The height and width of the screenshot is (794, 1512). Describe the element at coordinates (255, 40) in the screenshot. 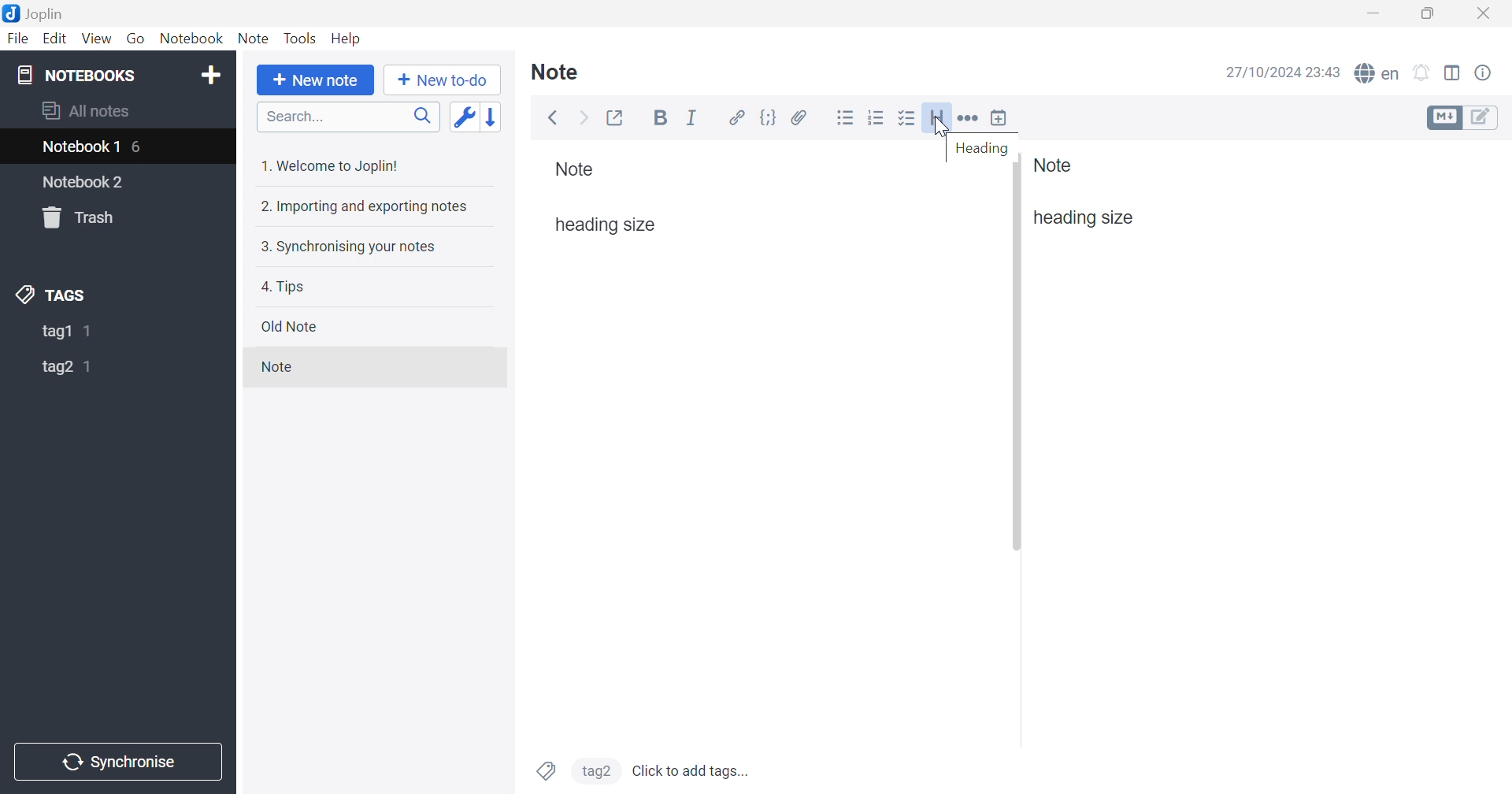

I see `Note` at that location.